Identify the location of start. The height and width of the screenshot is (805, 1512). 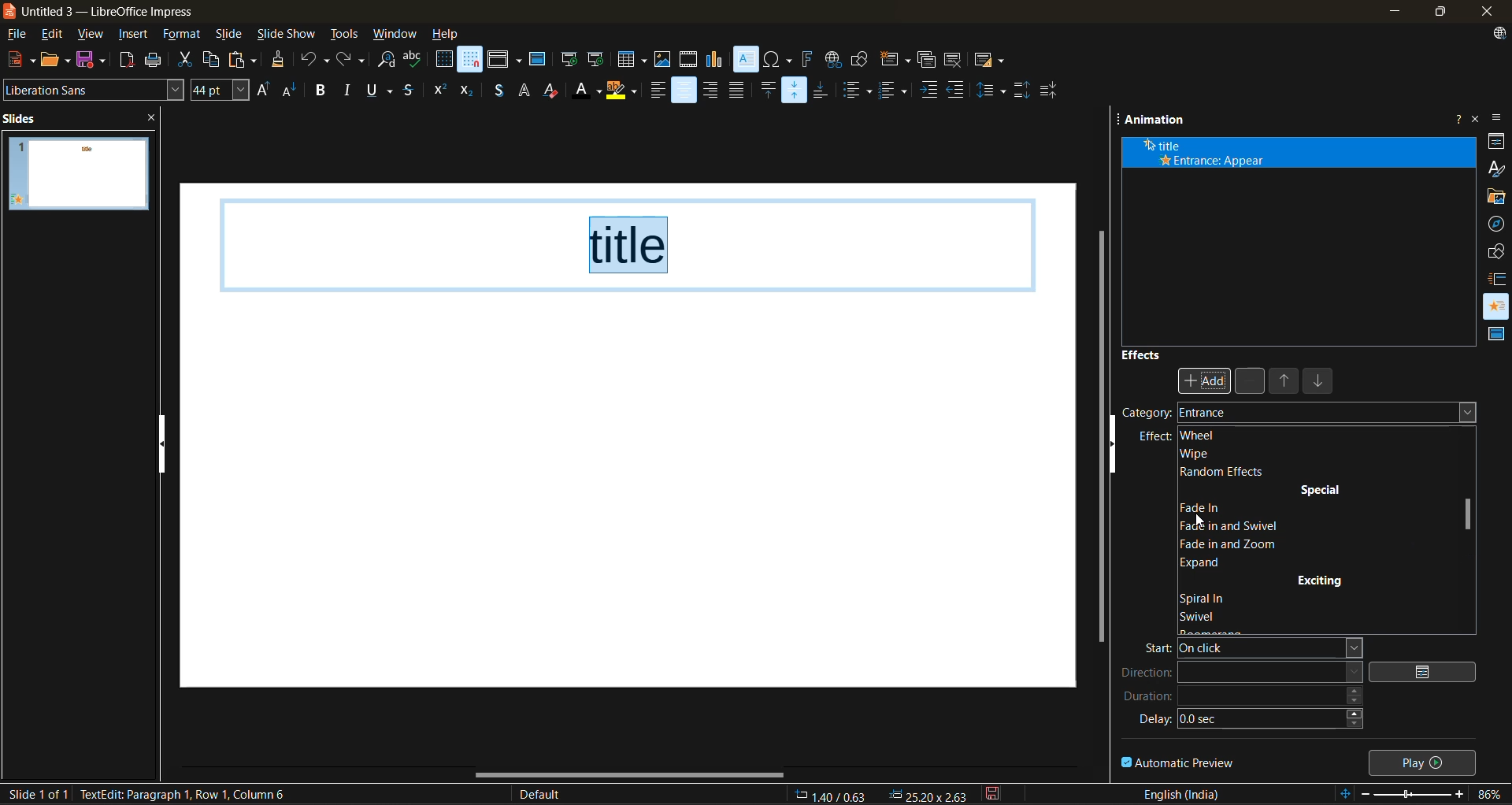
(1245, 651).